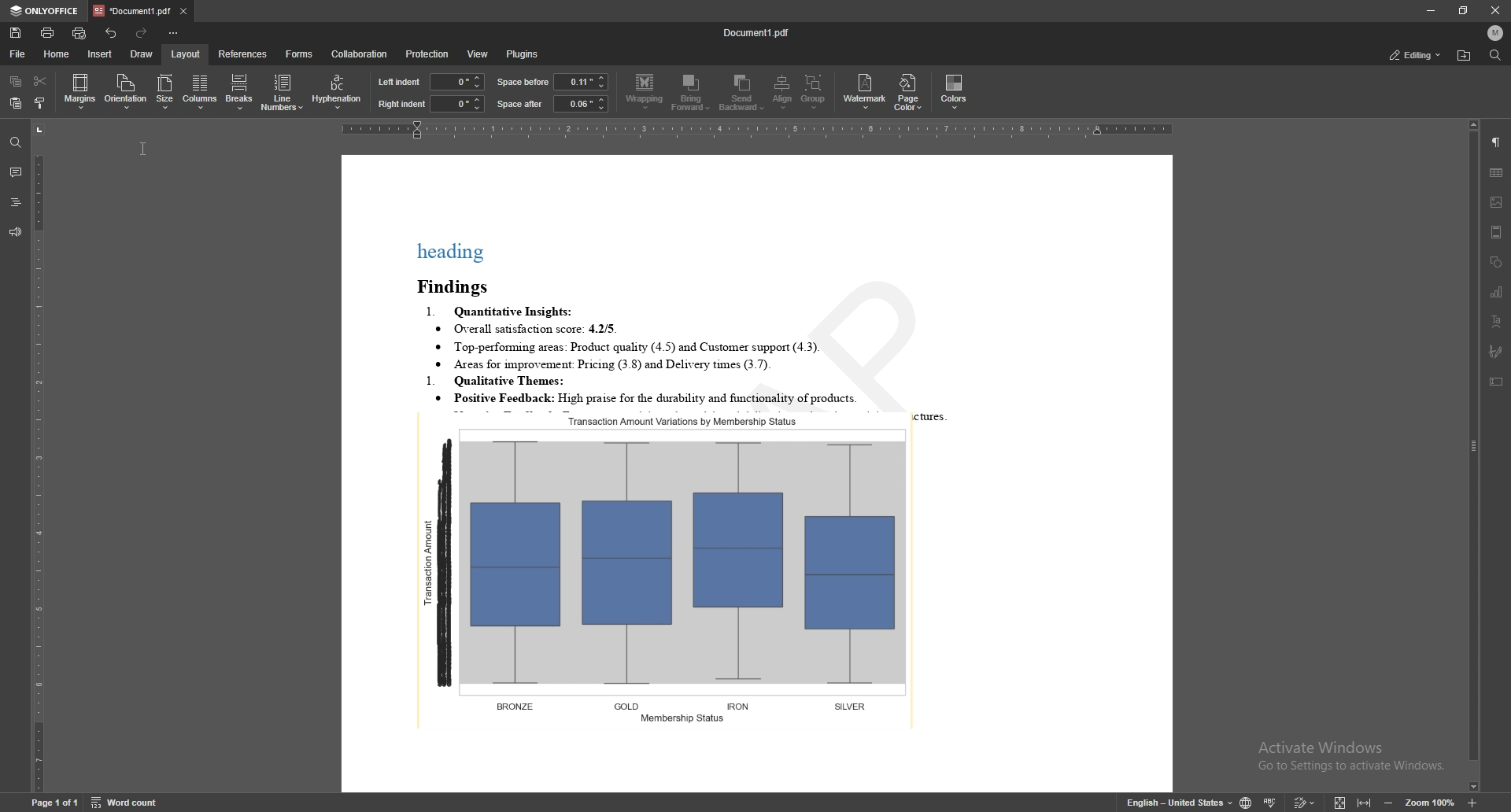  Describe the element at coordinates (1492, 10) in the screenshot. I see `close` at that location.